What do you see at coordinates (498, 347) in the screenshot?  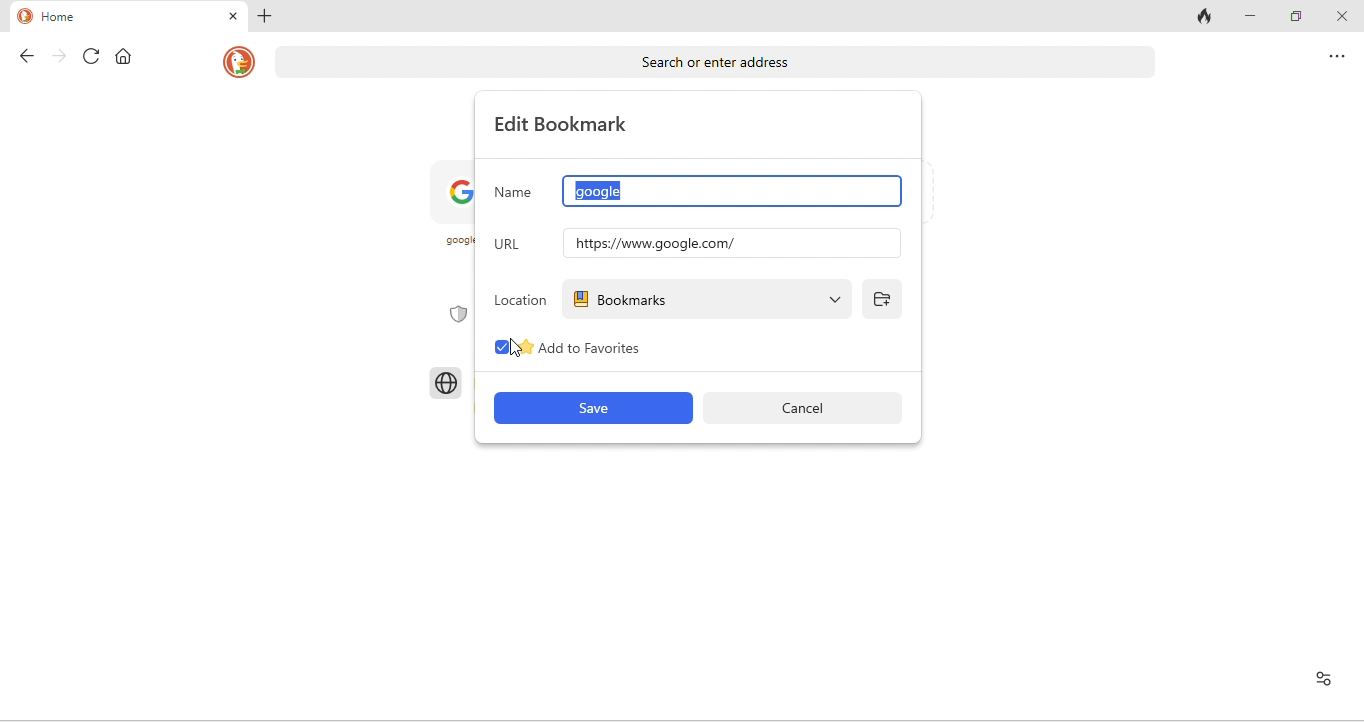 I see `checkbox` at bounding box center [498, 347].